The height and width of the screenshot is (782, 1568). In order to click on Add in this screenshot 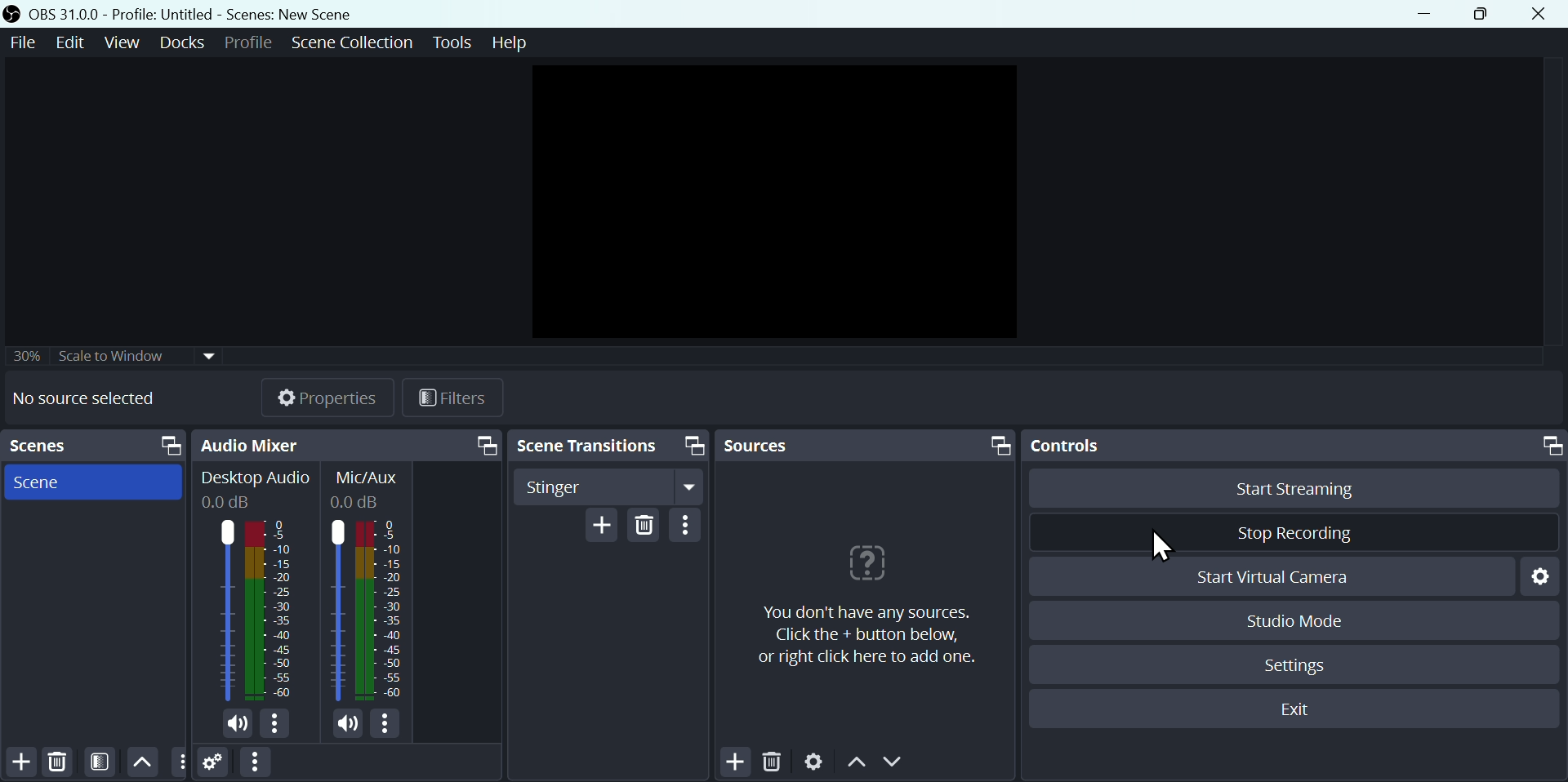, I will do `click(603, 527)`.